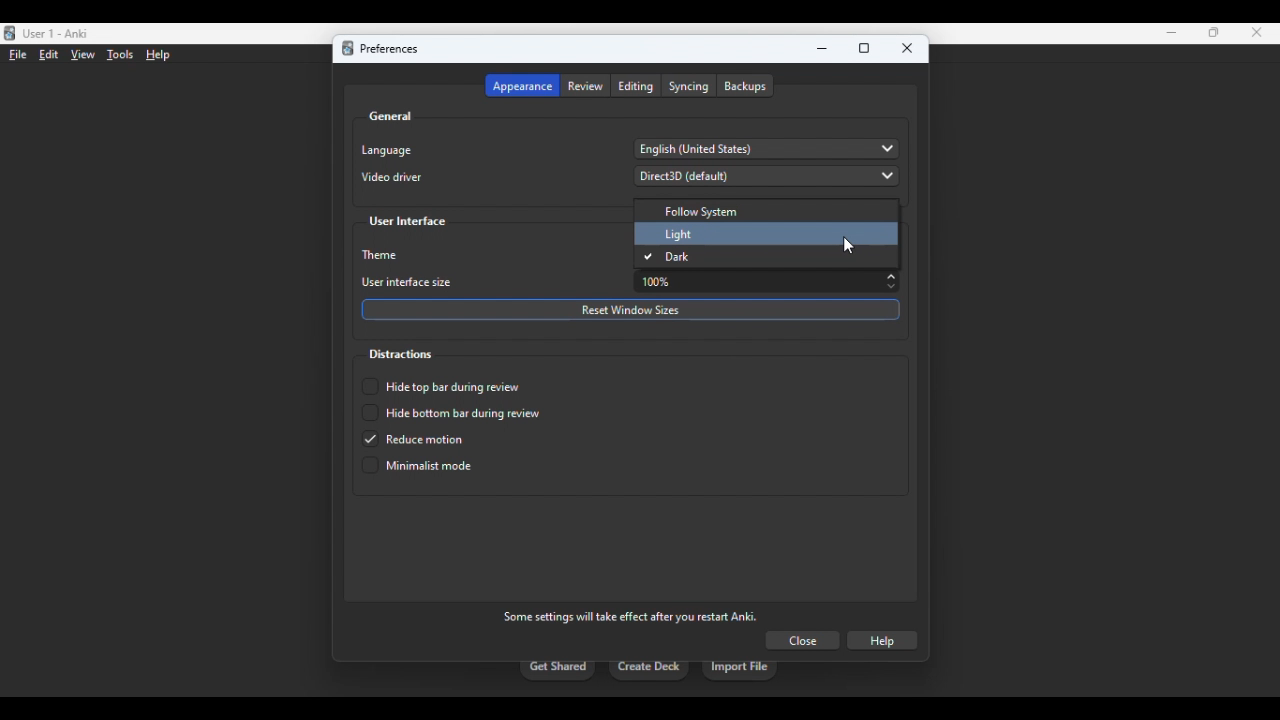 This screenshot has width=1280, height=720. I want to click on maximize, so click(1214, 32).